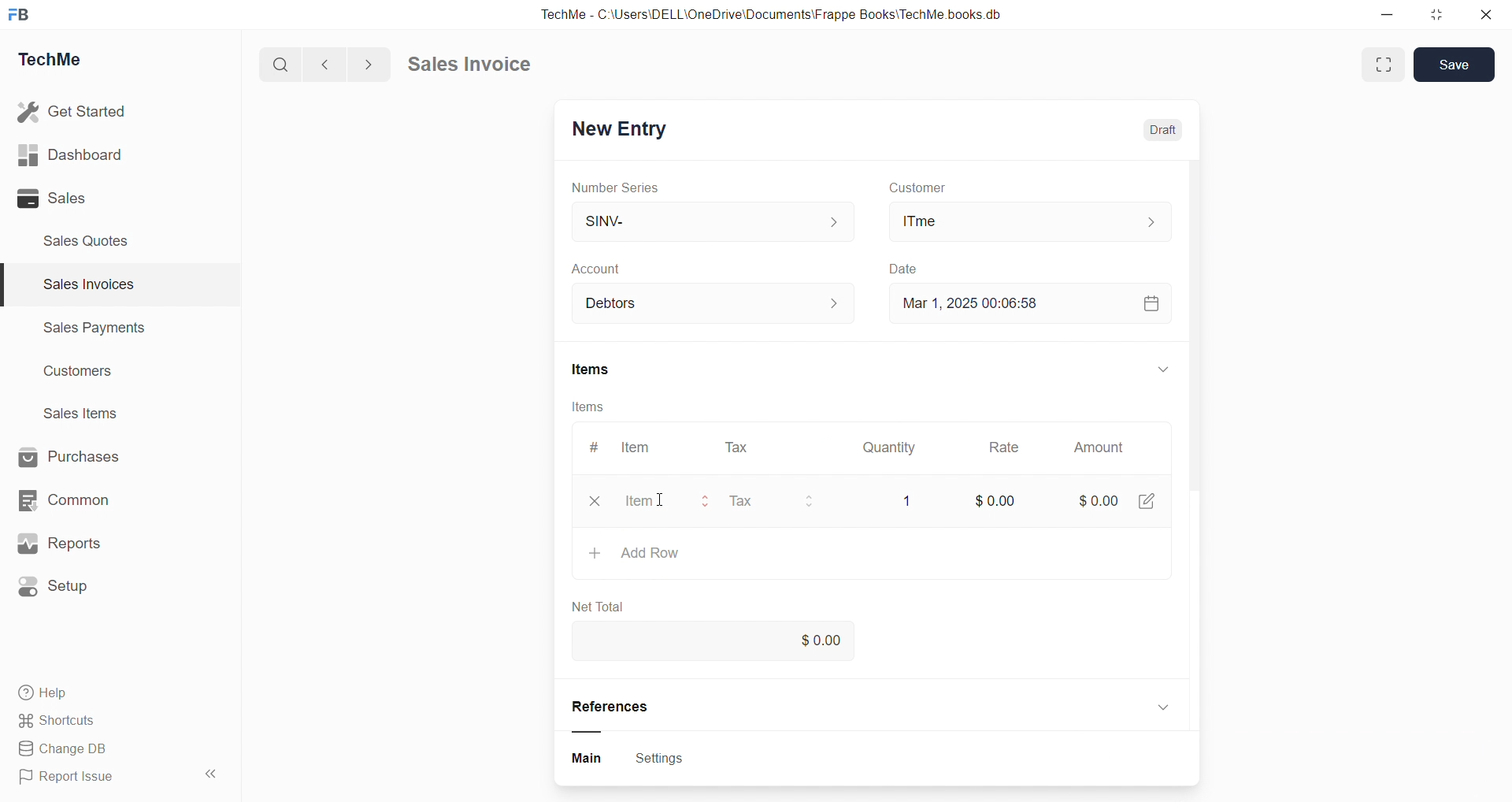  What do you see at coordinates (590, 407) in the screenshot?
I see `Items` at bounding box center [590, 407].